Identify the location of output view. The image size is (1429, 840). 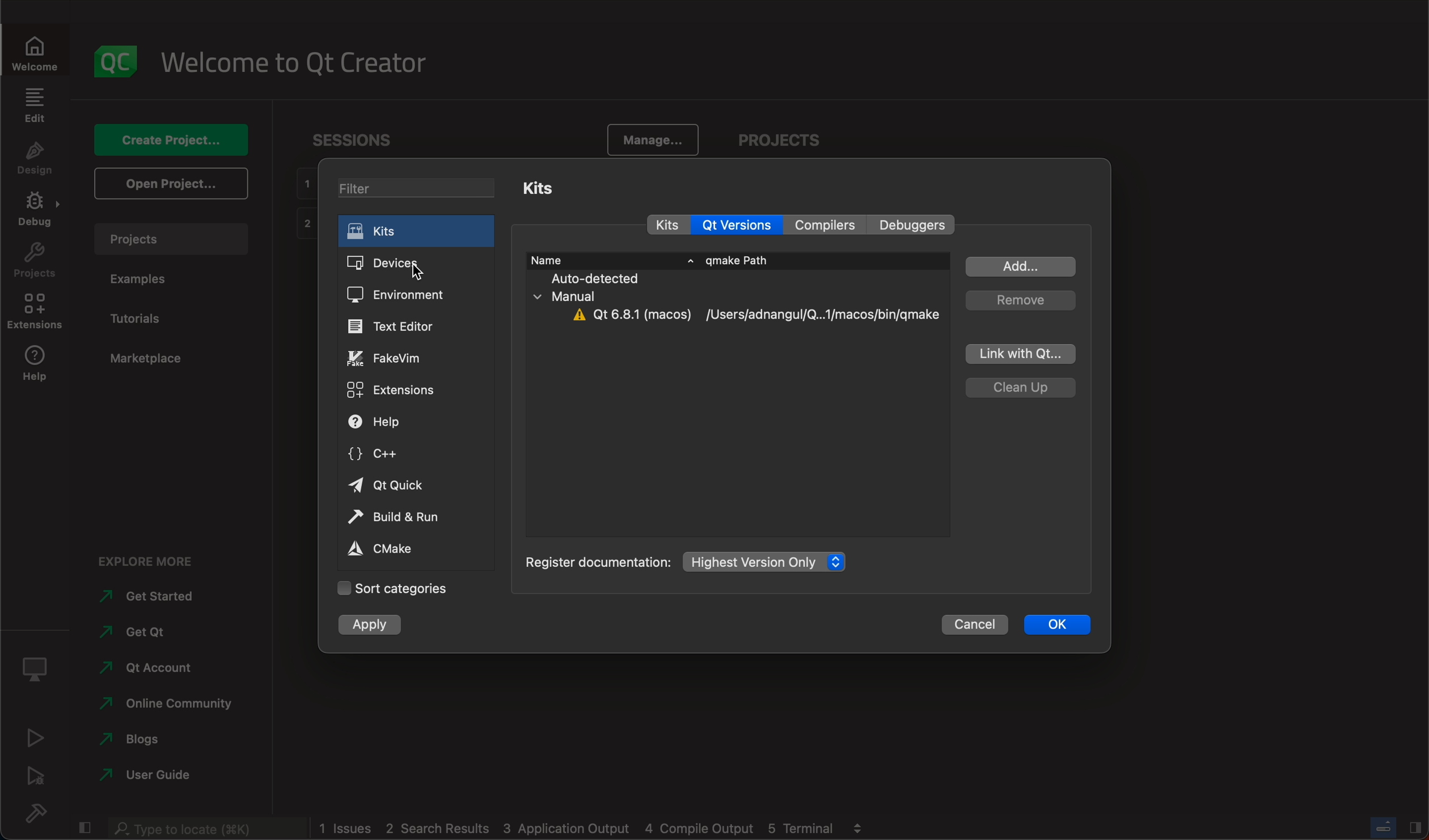
(857, 826).